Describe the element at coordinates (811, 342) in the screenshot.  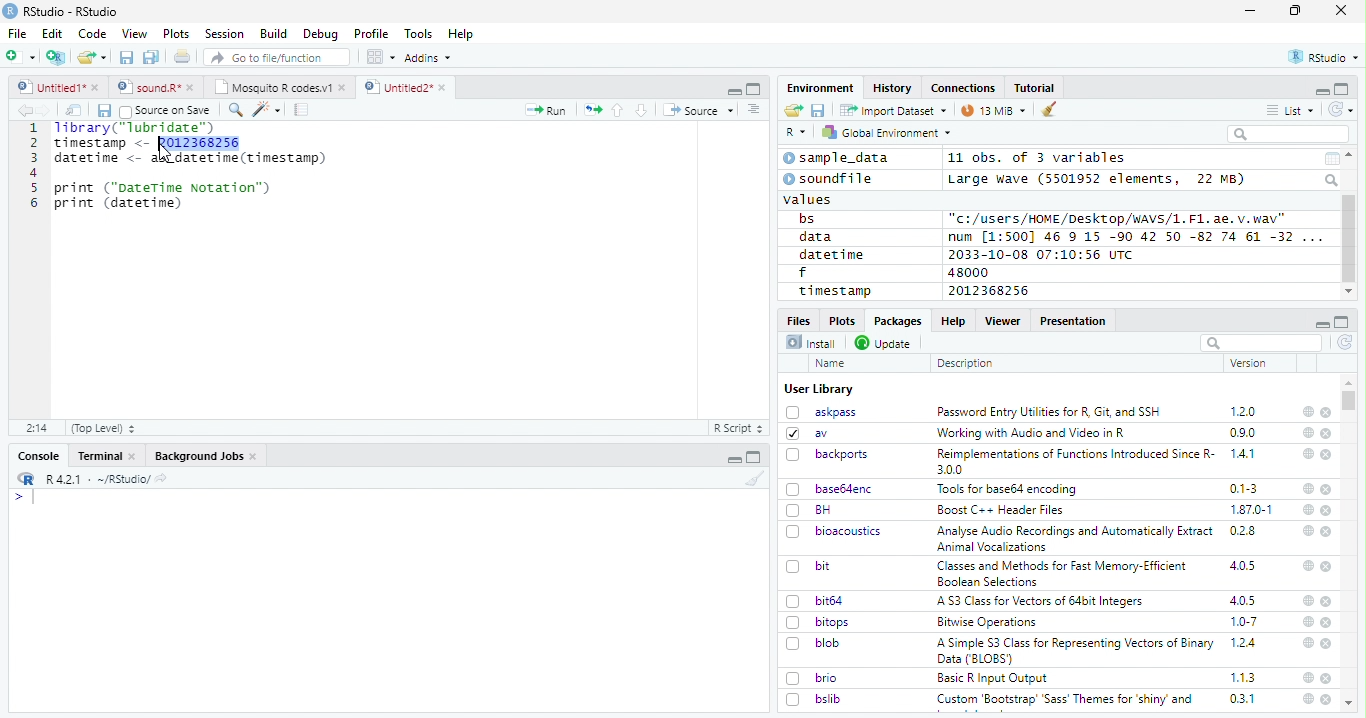
I see `Install` at that location.